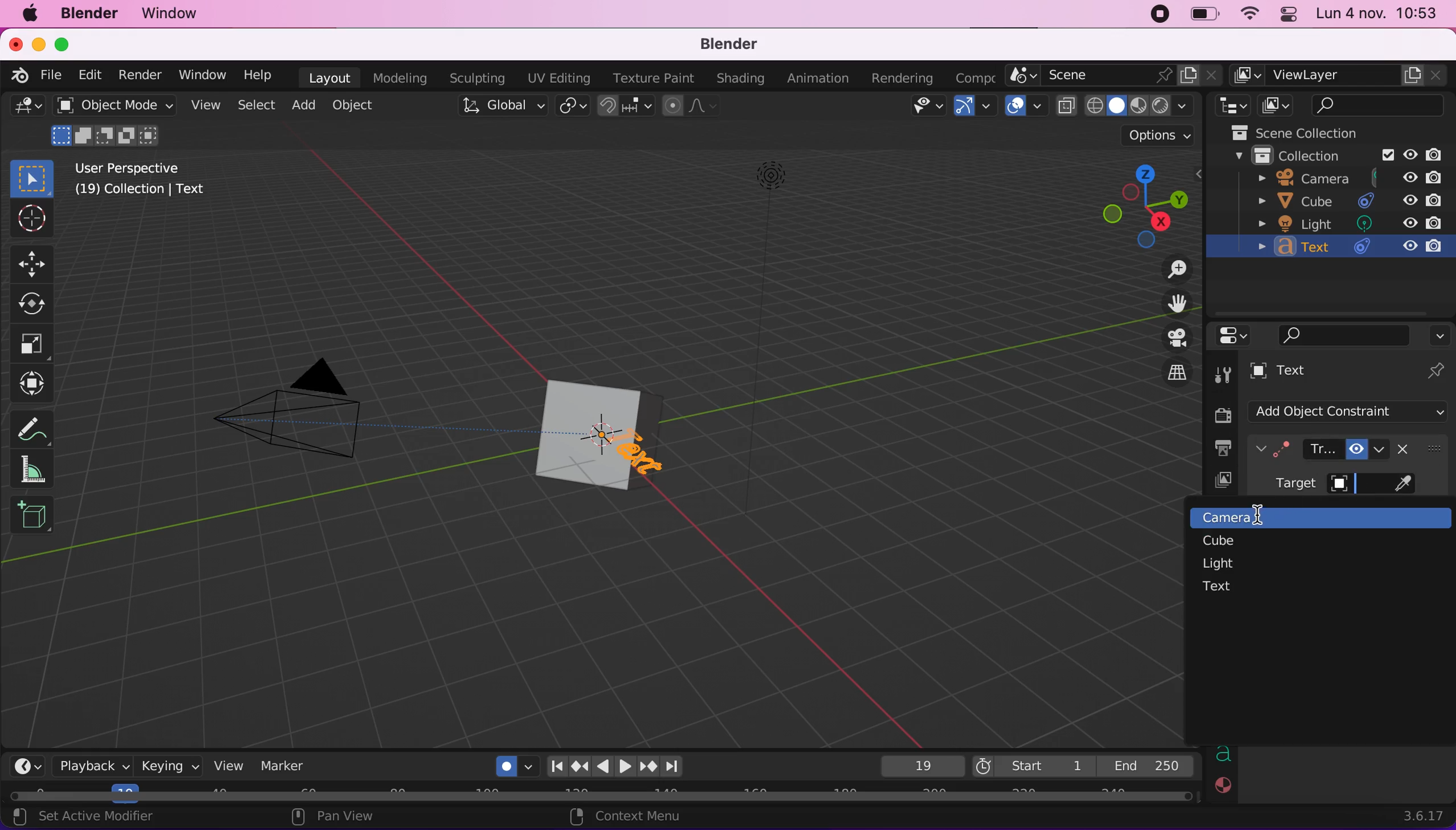 The width and height of the screenshot is (1456, 830). I want to click on measure, so click(39, 468).